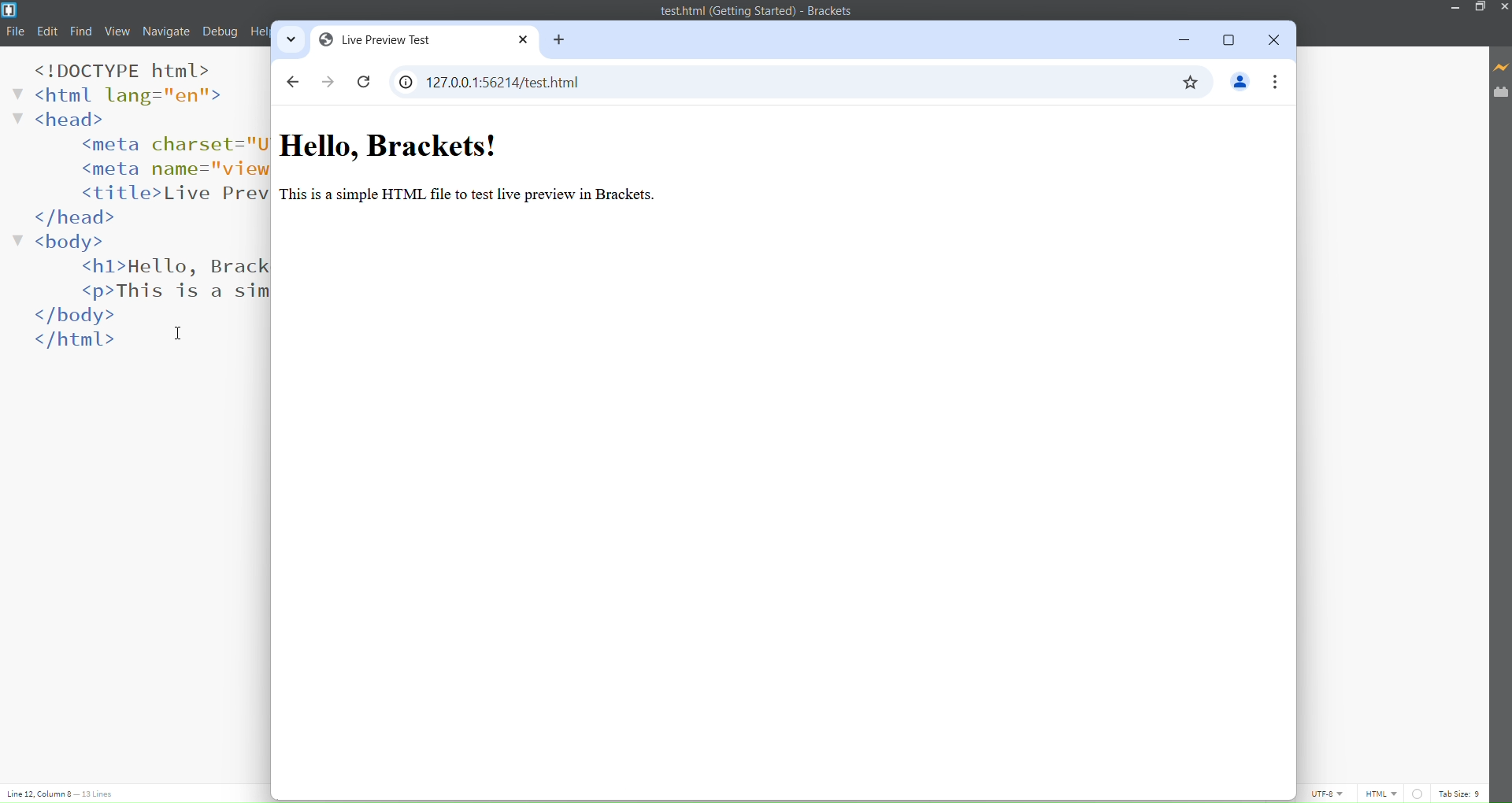 This screenshot has height=803, width=1512. I want to click on Profile/Account, so click(1239, 83).